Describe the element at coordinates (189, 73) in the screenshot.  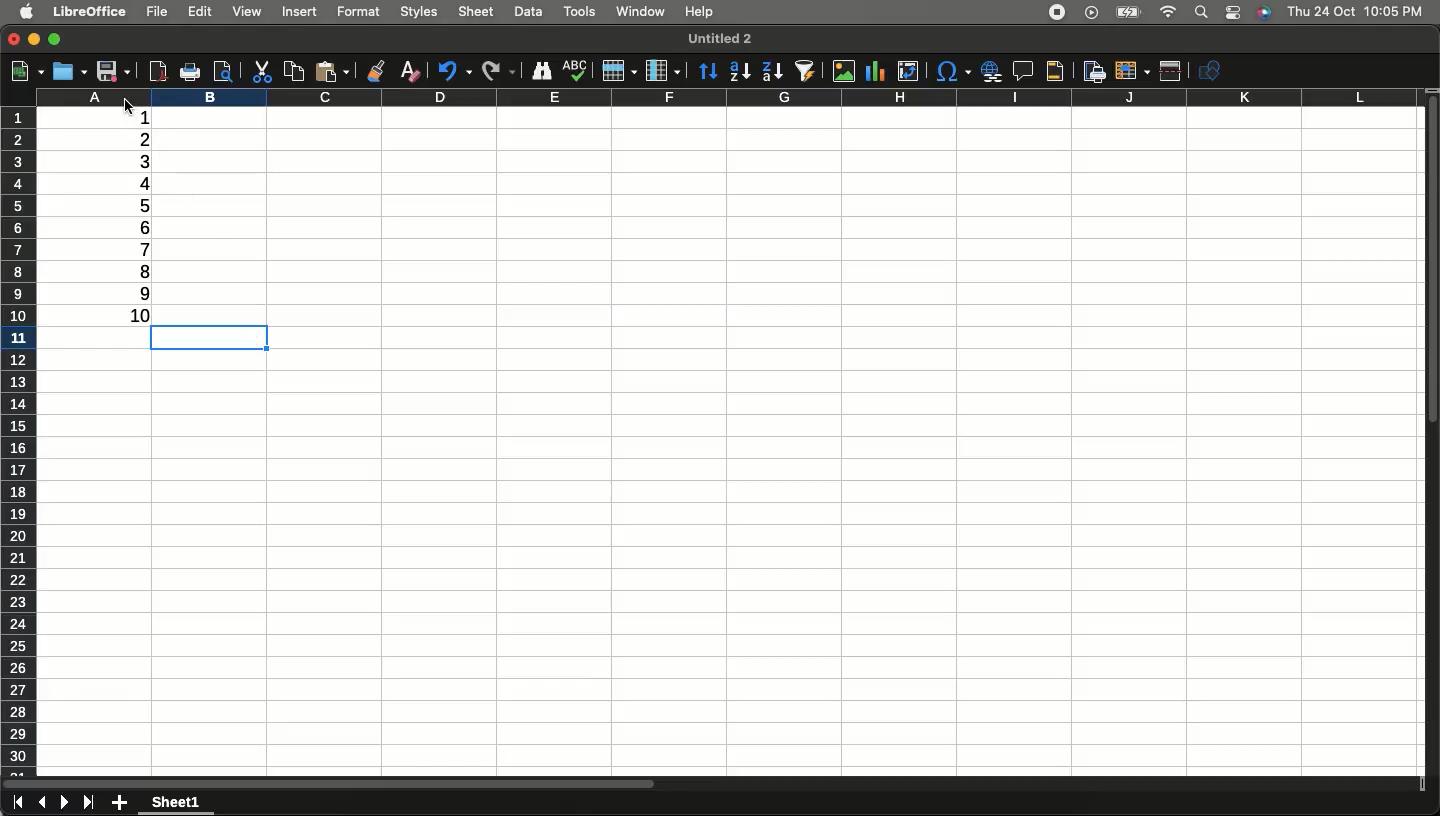
I see `Print` at that location.